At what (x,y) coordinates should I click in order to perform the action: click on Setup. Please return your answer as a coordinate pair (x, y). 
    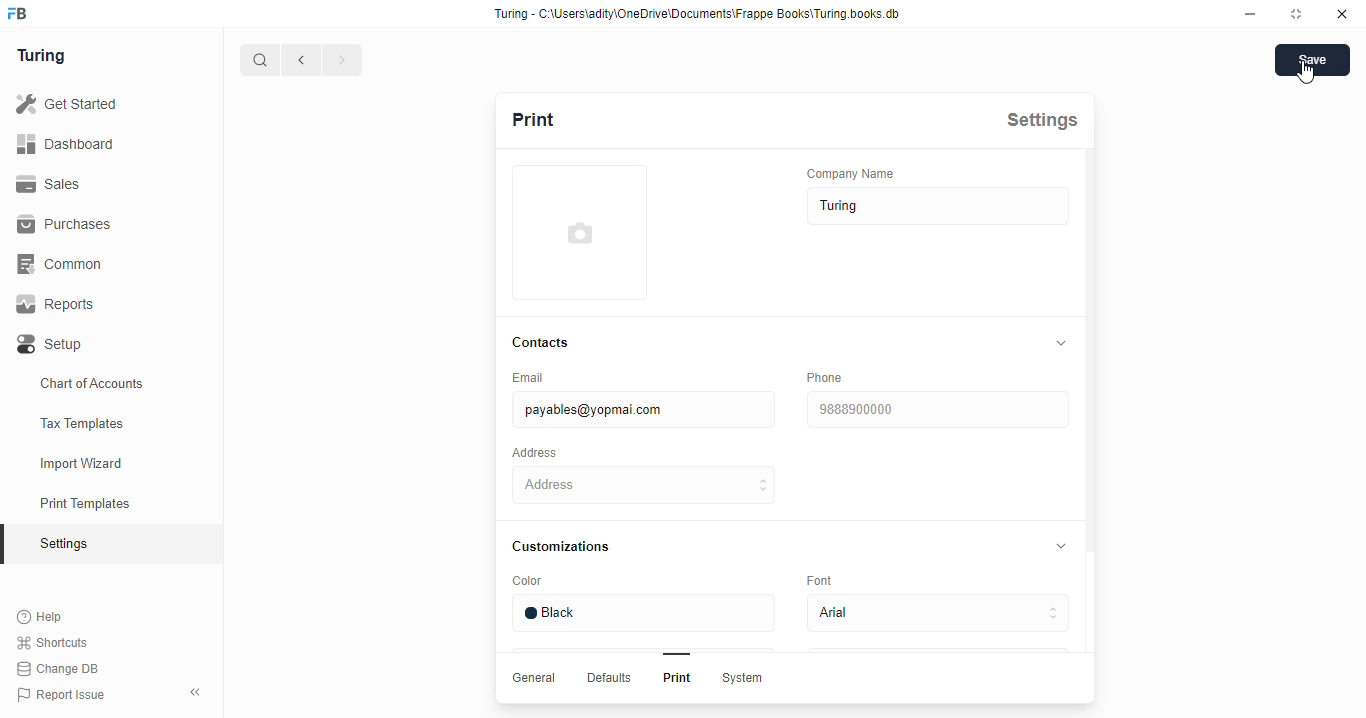
    Looking at the image, I should click on (92, 344).